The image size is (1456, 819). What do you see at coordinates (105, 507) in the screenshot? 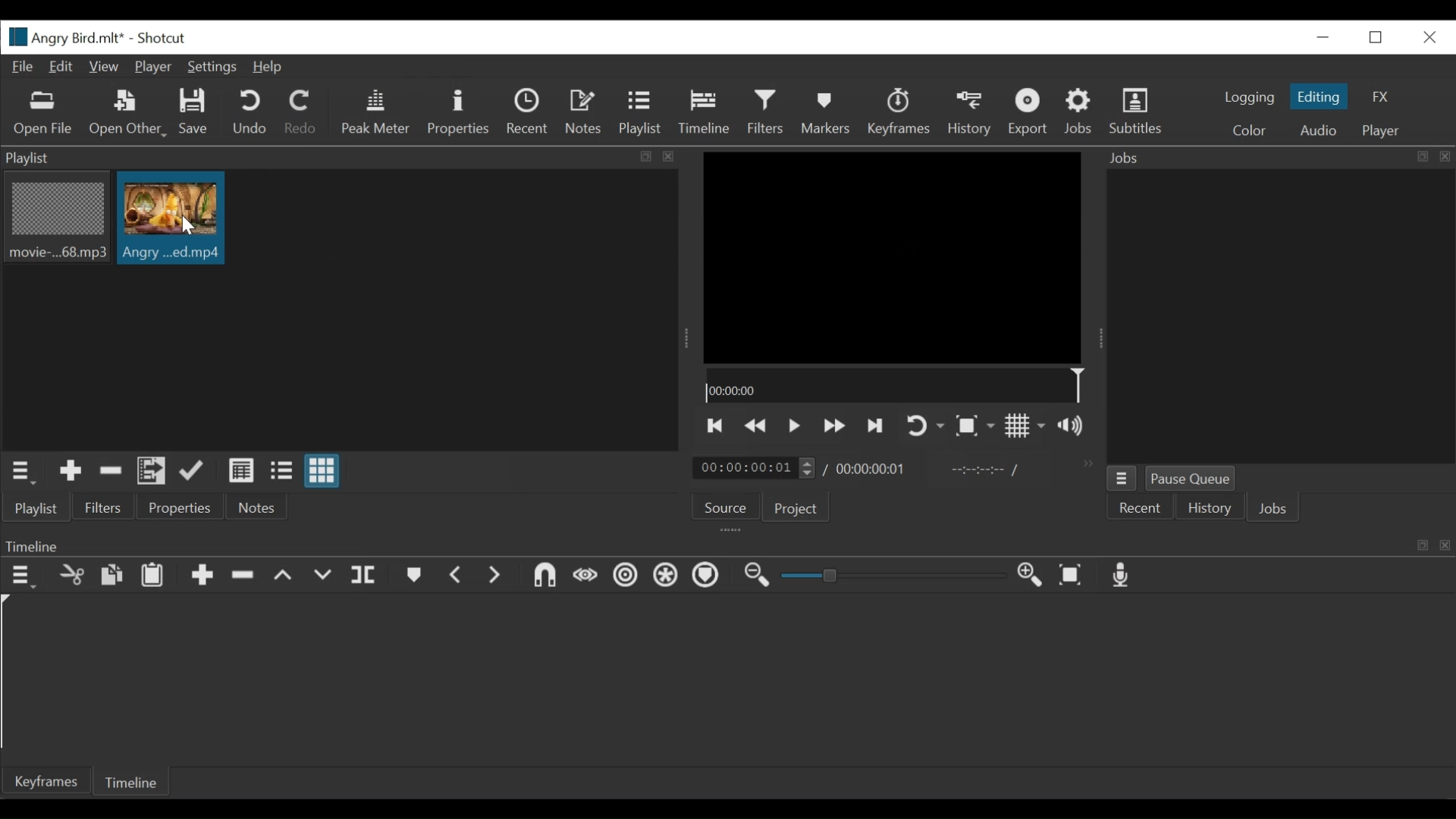
I see `Filters` at bounding box center [105, 507].